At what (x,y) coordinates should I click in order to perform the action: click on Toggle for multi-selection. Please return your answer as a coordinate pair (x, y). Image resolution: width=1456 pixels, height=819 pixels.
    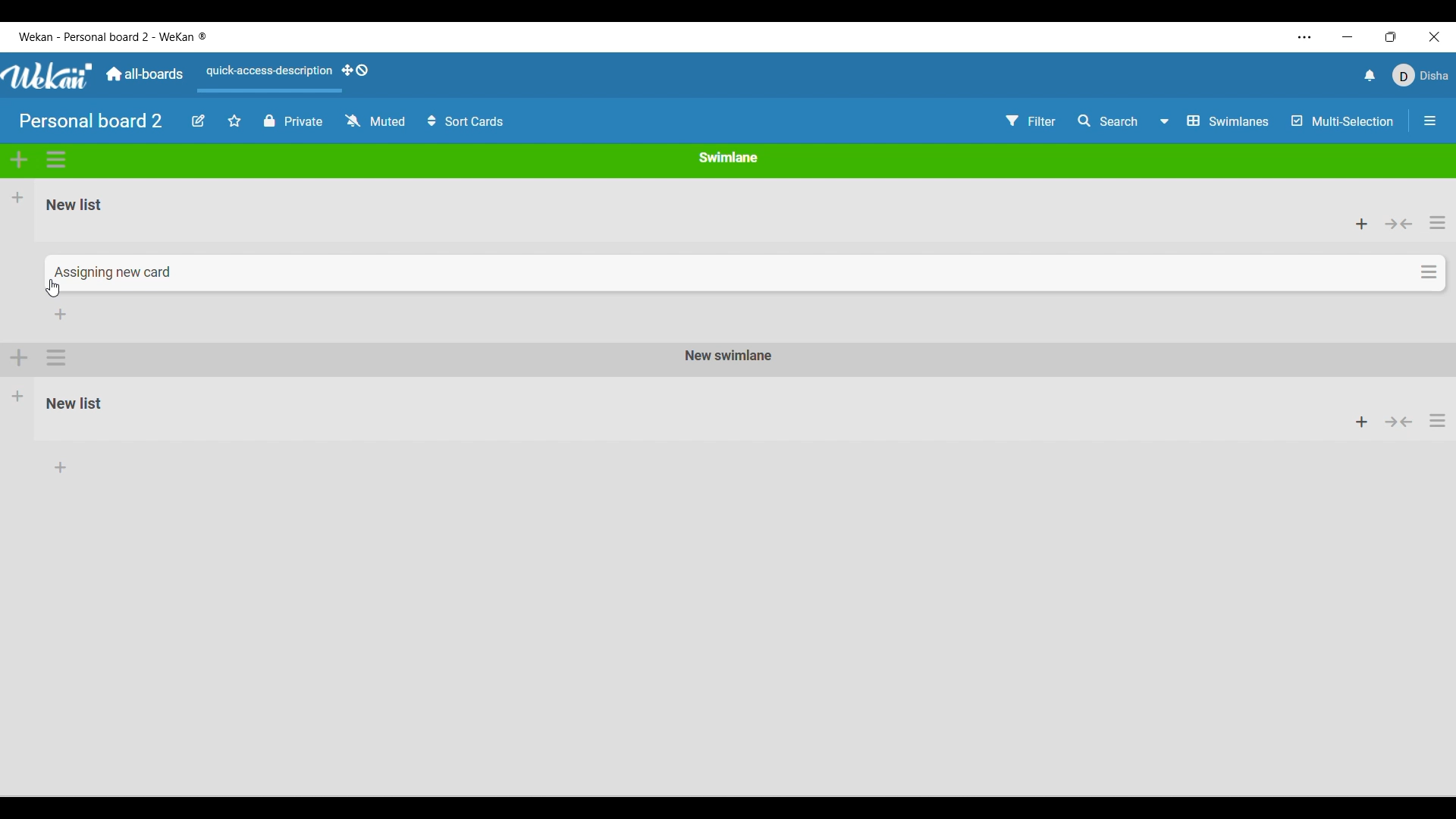
    Looking at the image, I should click on (1344, 121).